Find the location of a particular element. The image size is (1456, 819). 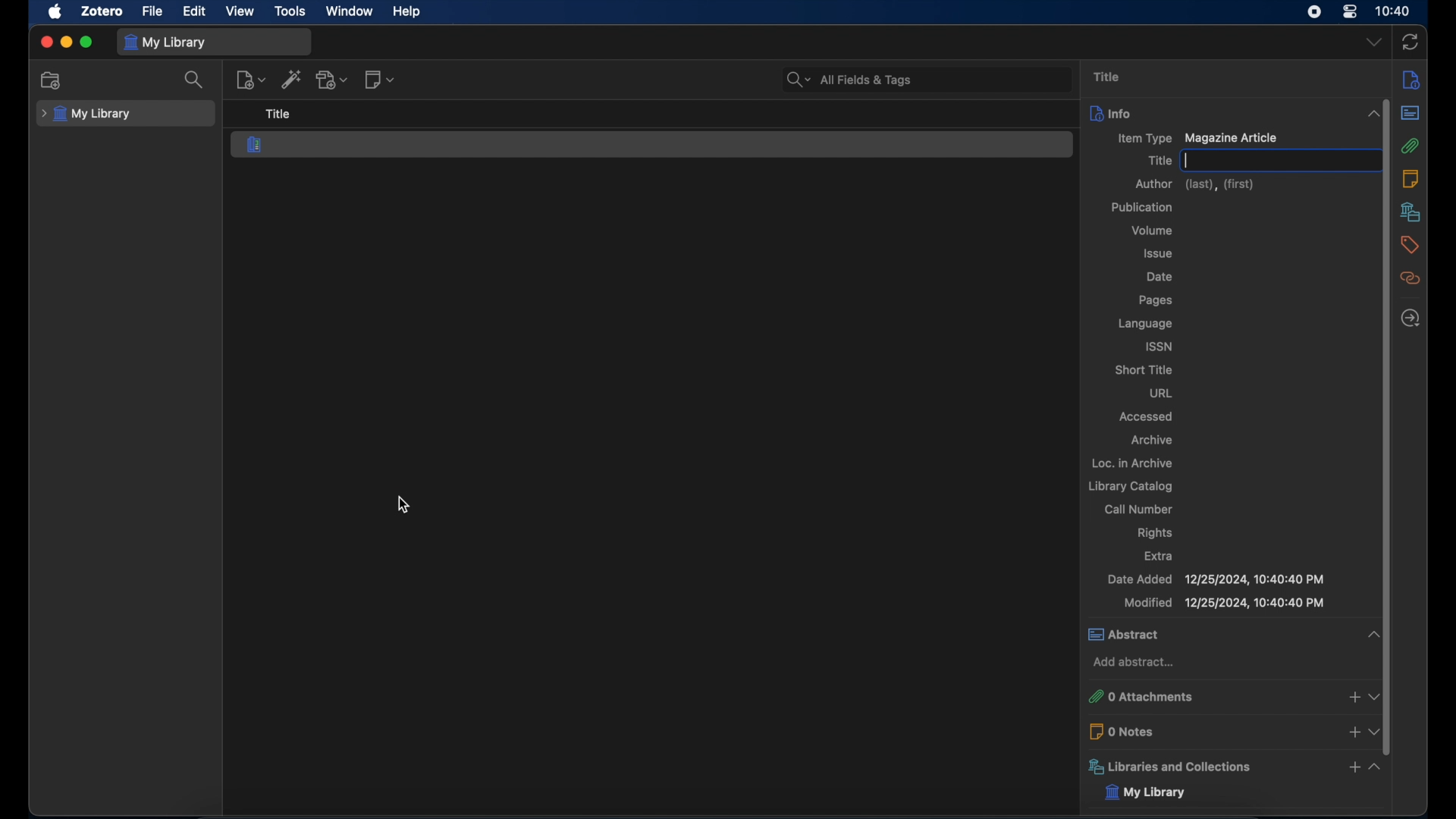

title is located at coordinates (1109, 77).